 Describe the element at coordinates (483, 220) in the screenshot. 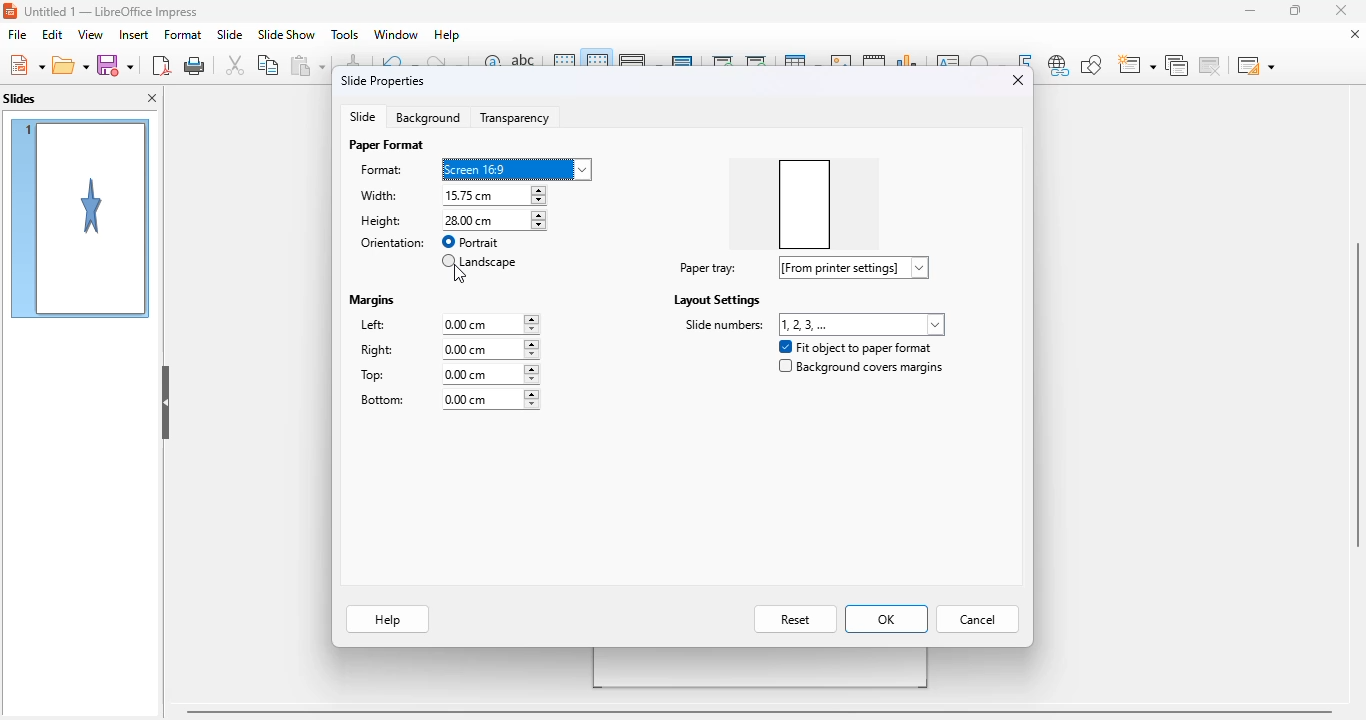

I see `height: 28.00 cm` at that location.